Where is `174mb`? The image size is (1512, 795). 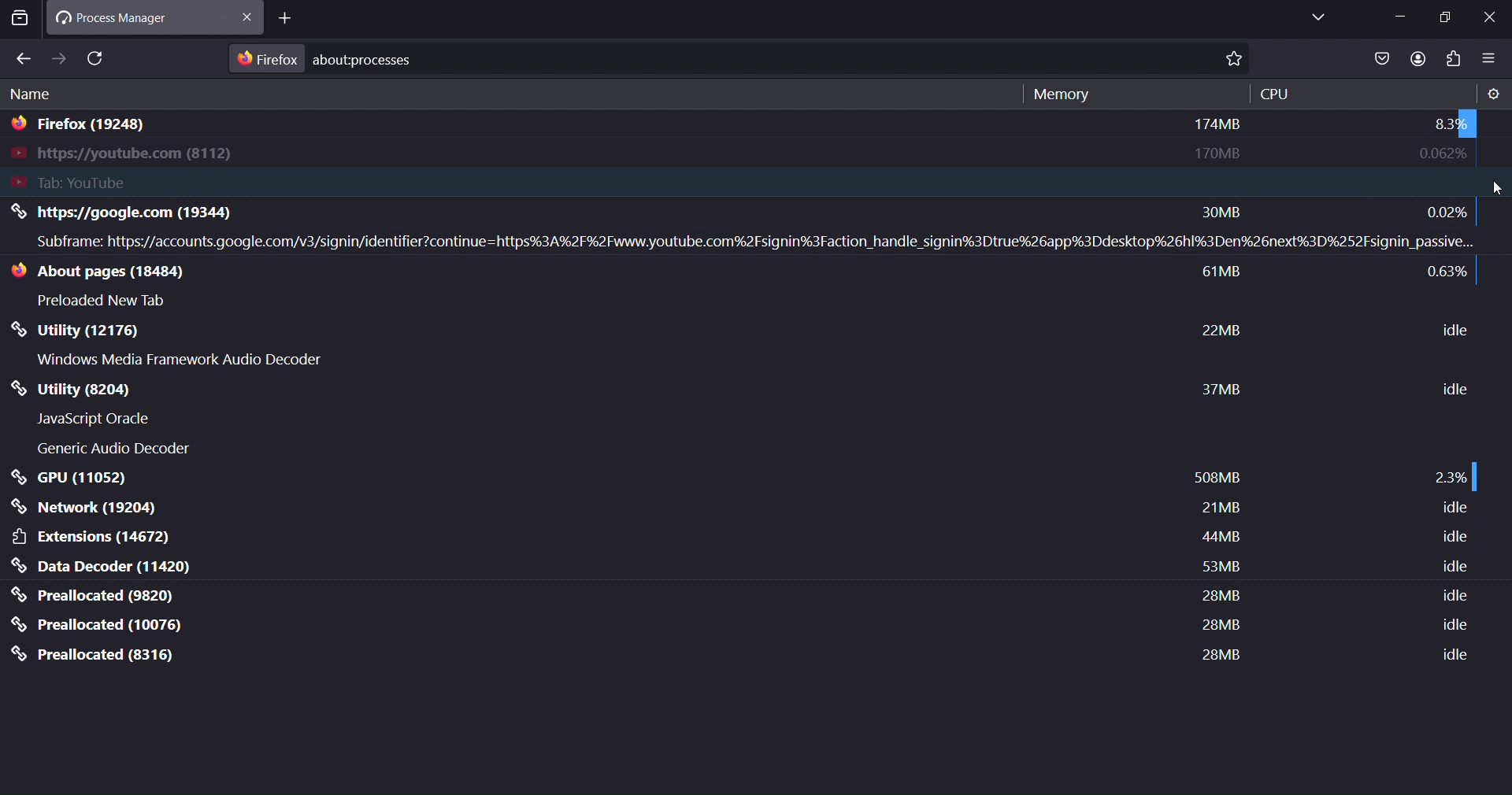 174mb is located at coordinates (1218, 125).